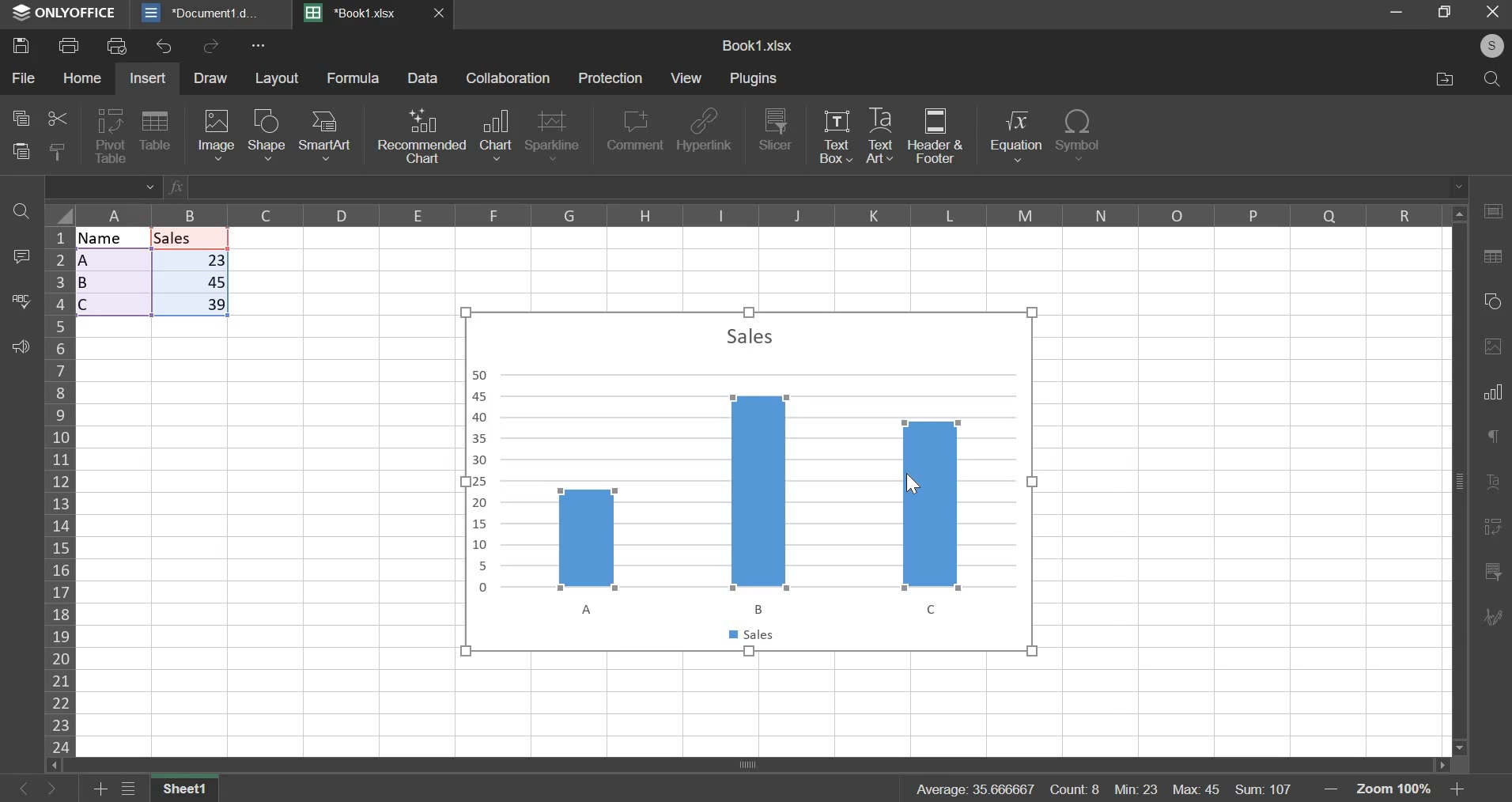 This screenshot has height=802, width=1512. I want to click on cursor, so click(917, 482).